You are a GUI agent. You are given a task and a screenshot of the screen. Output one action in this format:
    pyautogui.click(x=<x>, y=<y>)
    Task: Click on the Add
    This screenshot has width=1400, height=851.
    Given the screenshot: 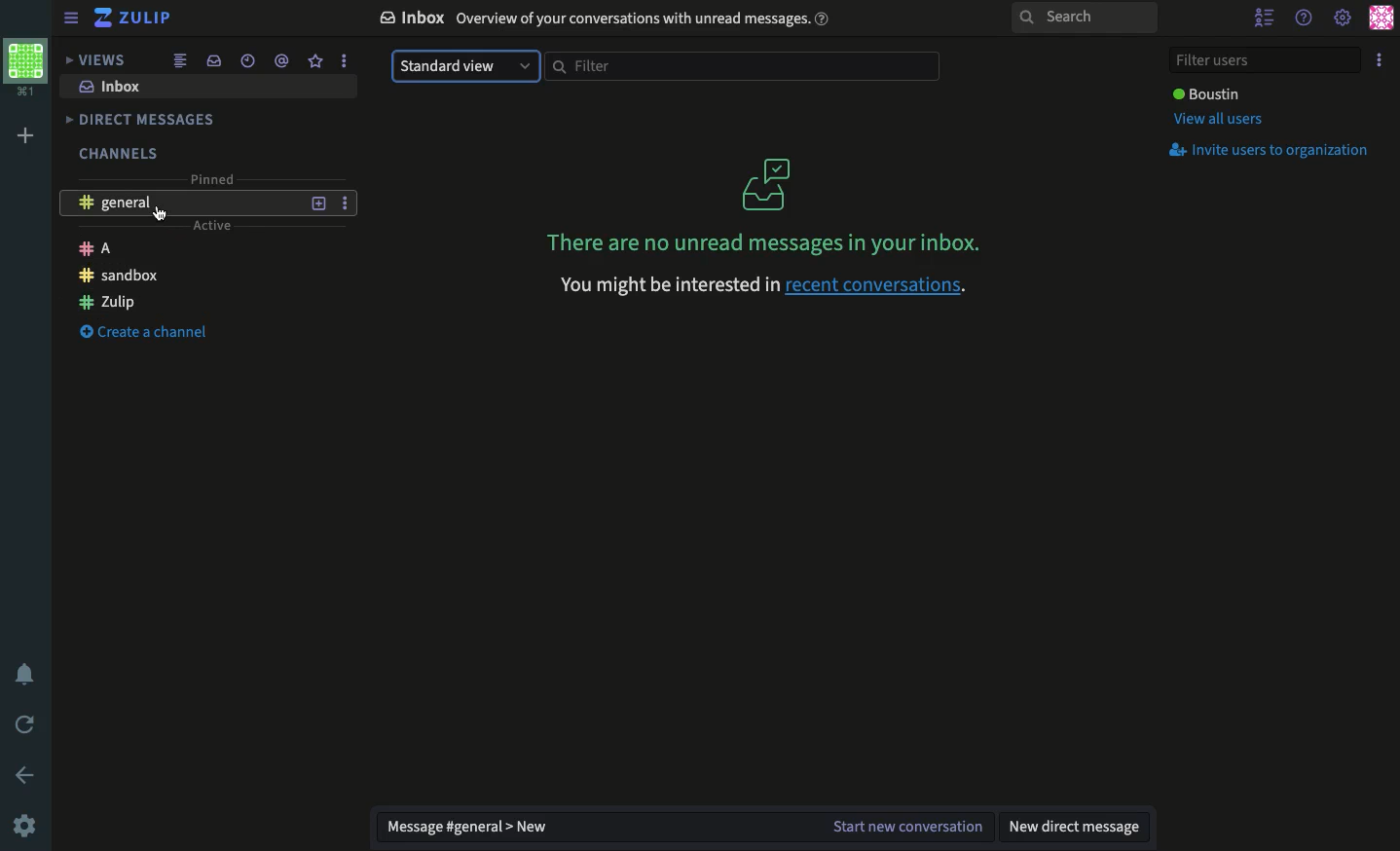 What is the action you would take?
    pyautogui.click(x=319, y=203)
    